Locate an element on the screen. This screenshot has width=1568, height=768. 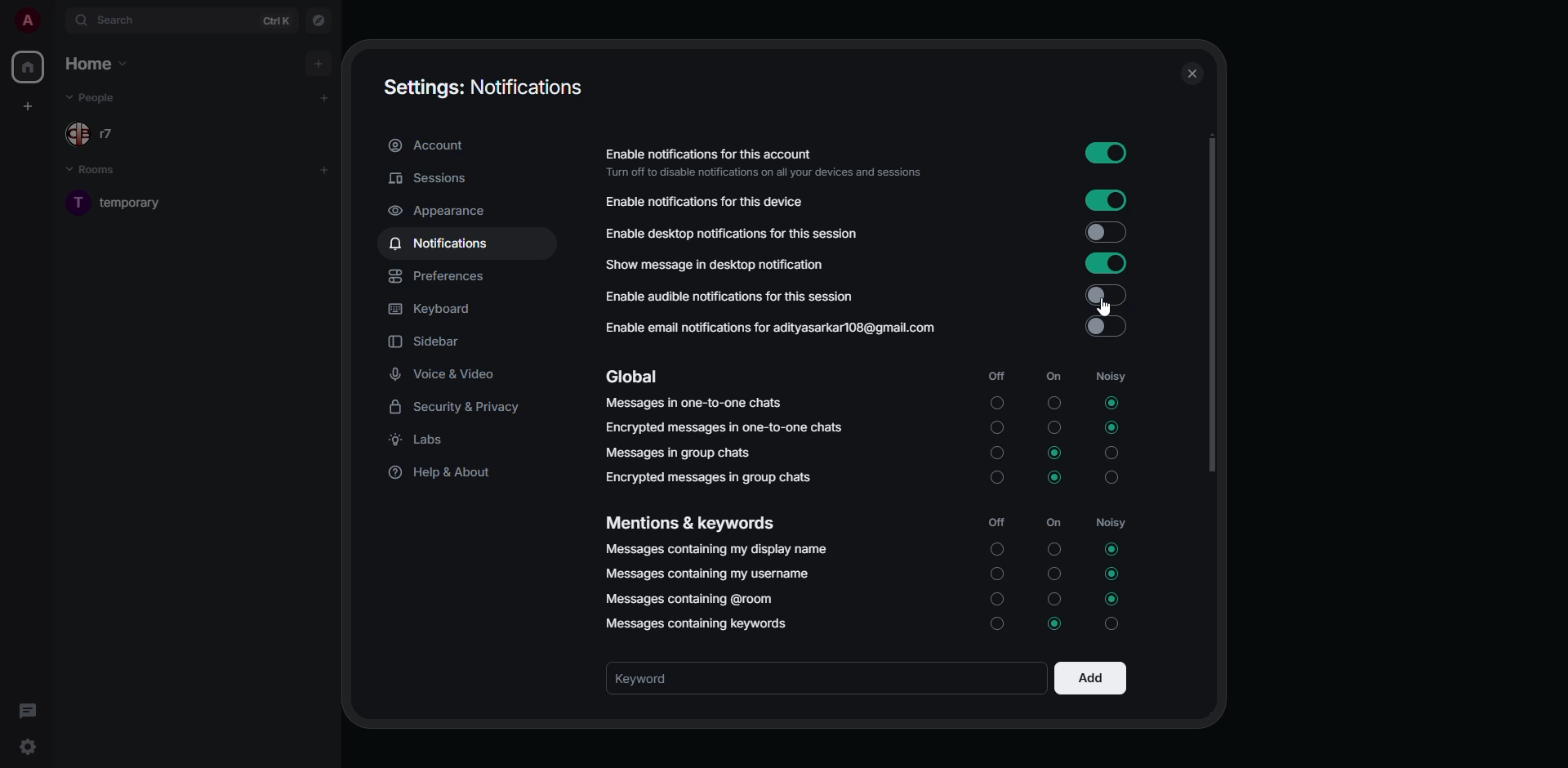
sidebar is located at coordinates (429, 342).